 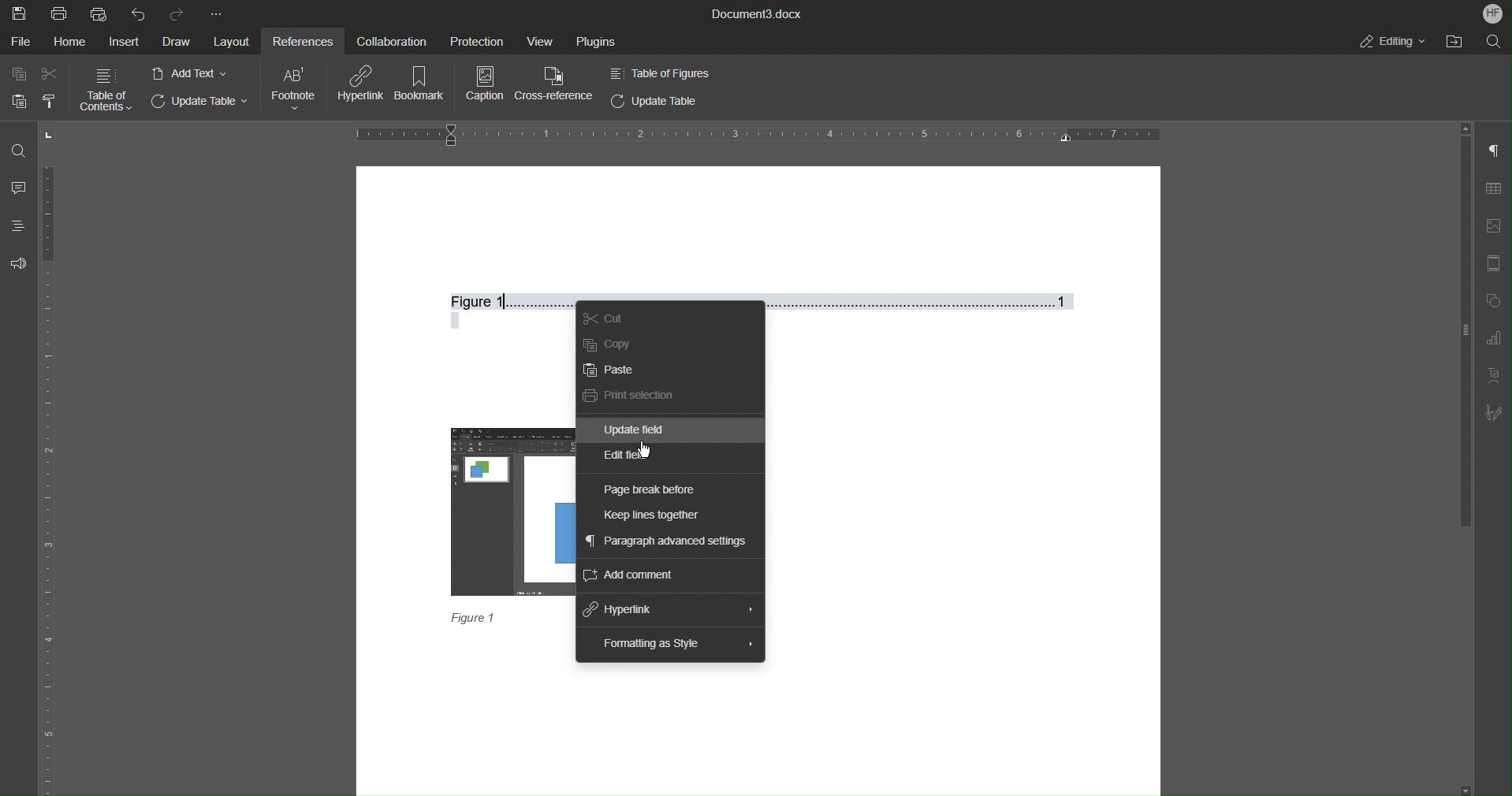 What do you see at coordinates (15, 101) in the screenshot?
I see `Paste` at bounding box center [15, 101].